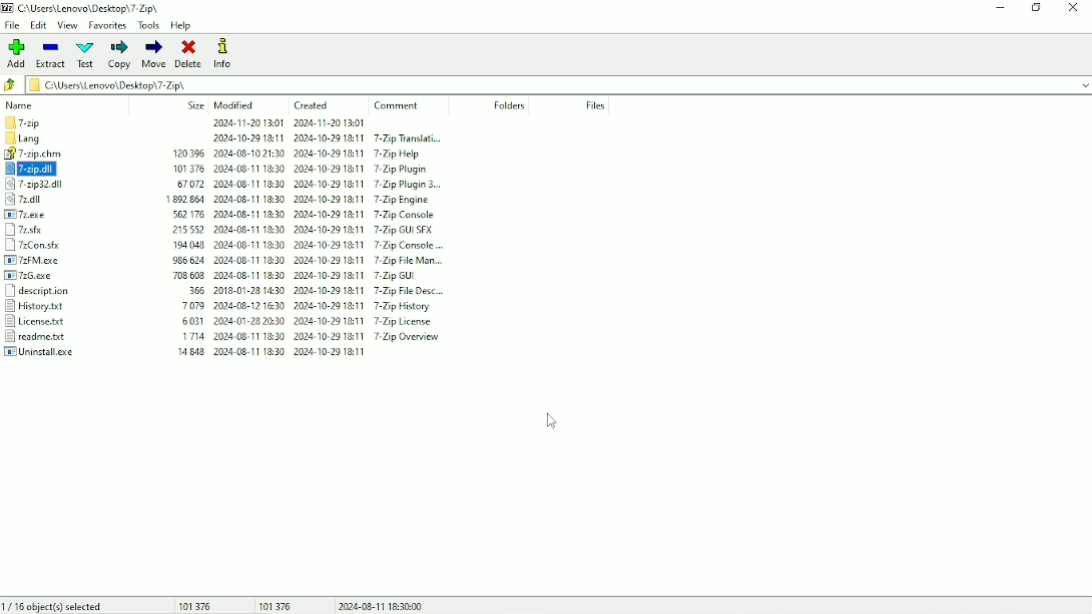 This screenshot has height=614, width=1092. What do you see at coordinates (86, 54) in the screenshot?
I see `Test` at bounding box center [86, 54].